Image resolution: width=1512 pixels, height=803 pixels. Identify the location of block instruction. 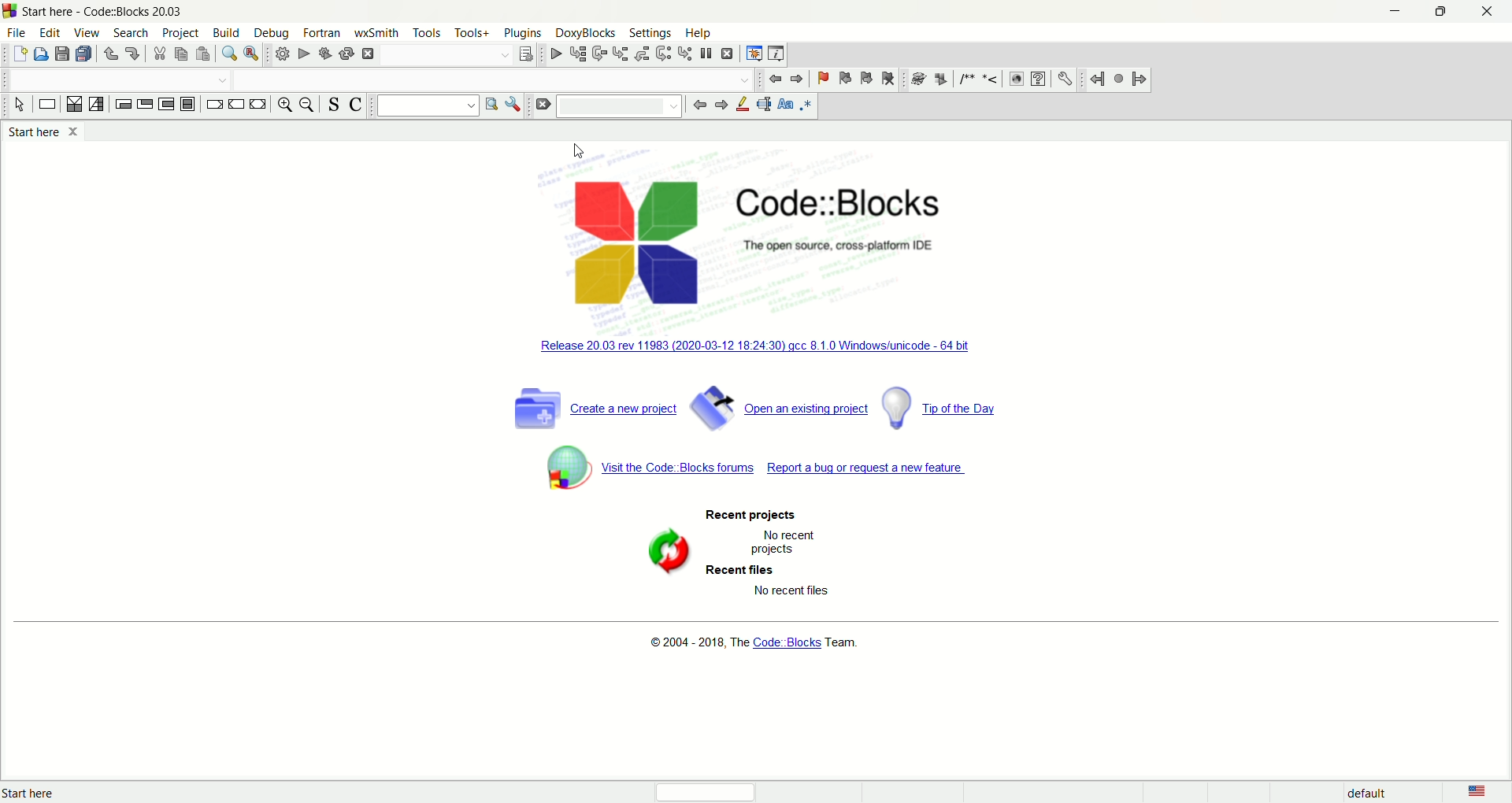
(187, 104).